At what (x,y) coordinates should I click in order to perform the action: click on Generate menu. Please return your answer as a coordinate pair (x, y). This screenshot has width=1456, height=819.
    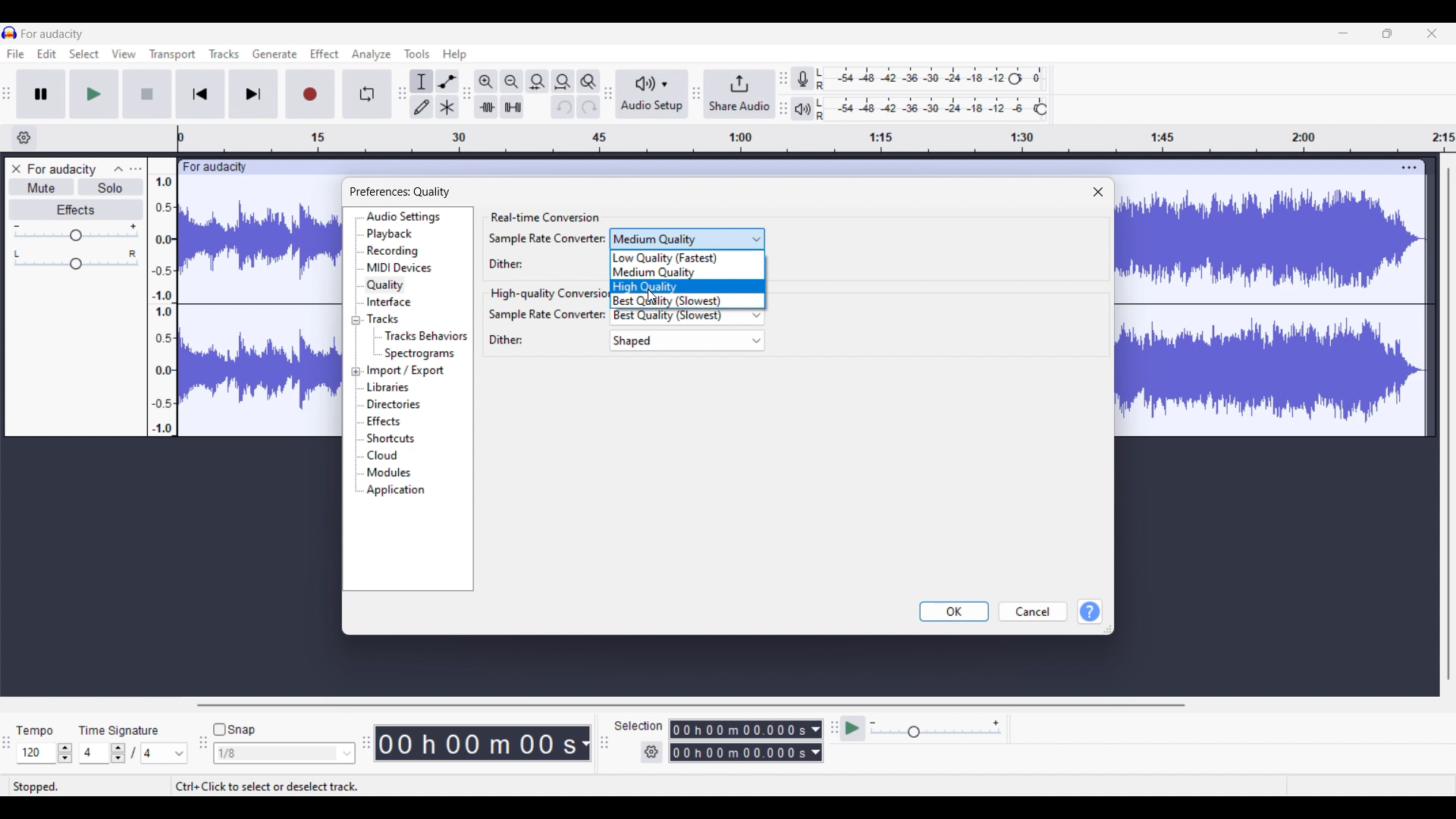
    Looking at the image, I should click on (275, 54).